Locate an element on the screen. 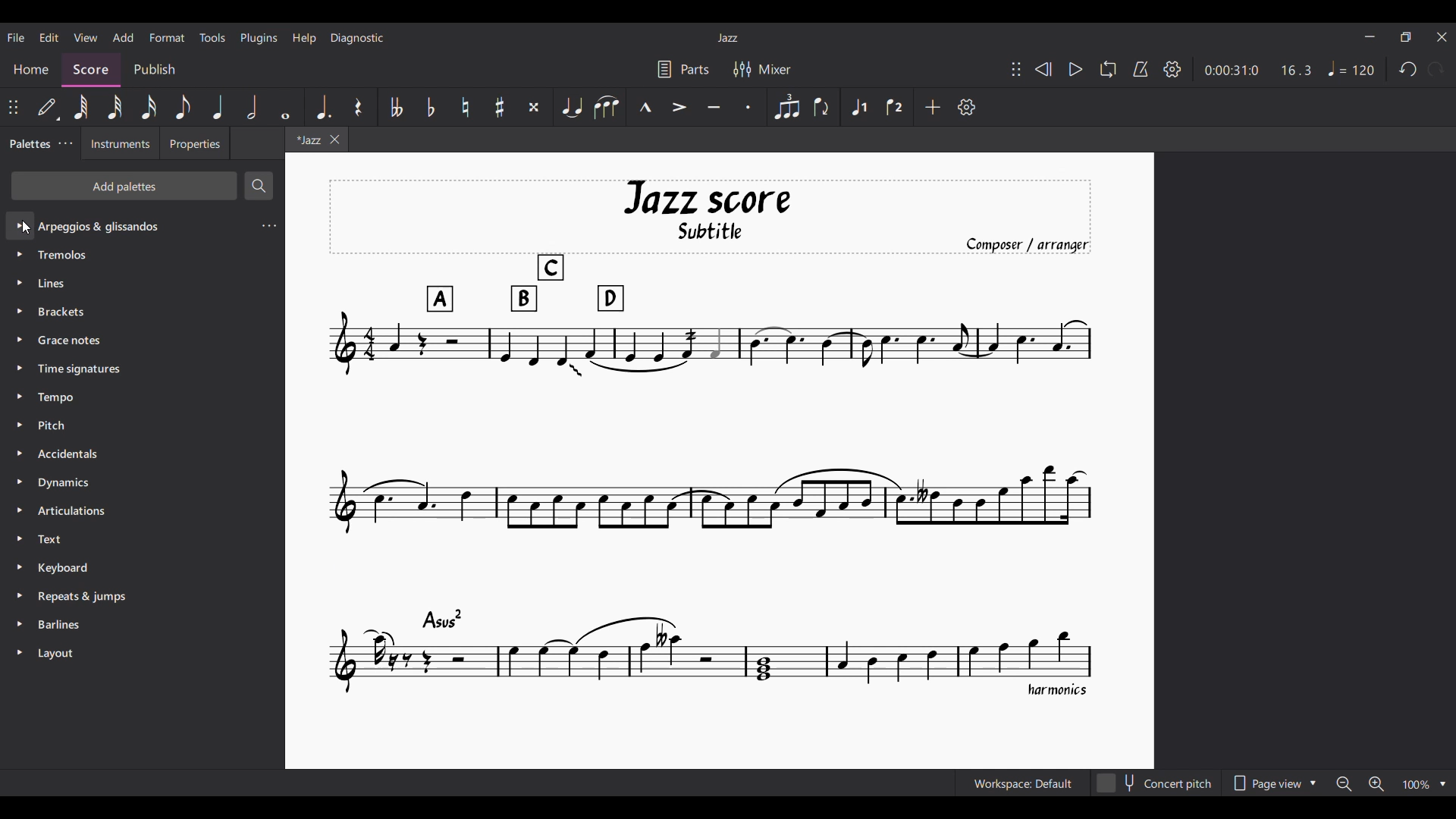 The height and width of the screenshot is (819, 1456). Current score is located at coordinates (710, 440).